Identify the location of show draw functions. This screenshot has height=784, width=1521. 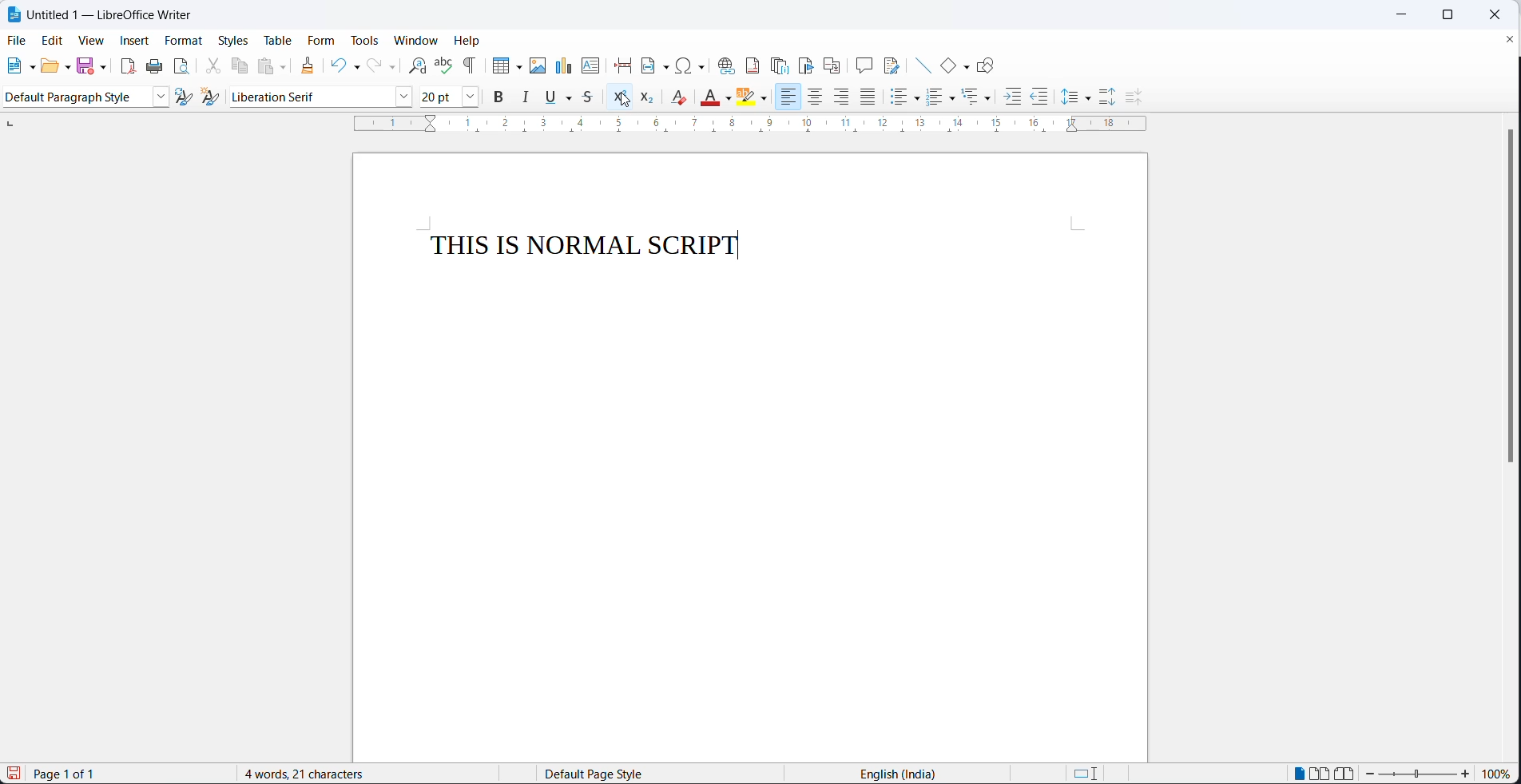
(989, 62).